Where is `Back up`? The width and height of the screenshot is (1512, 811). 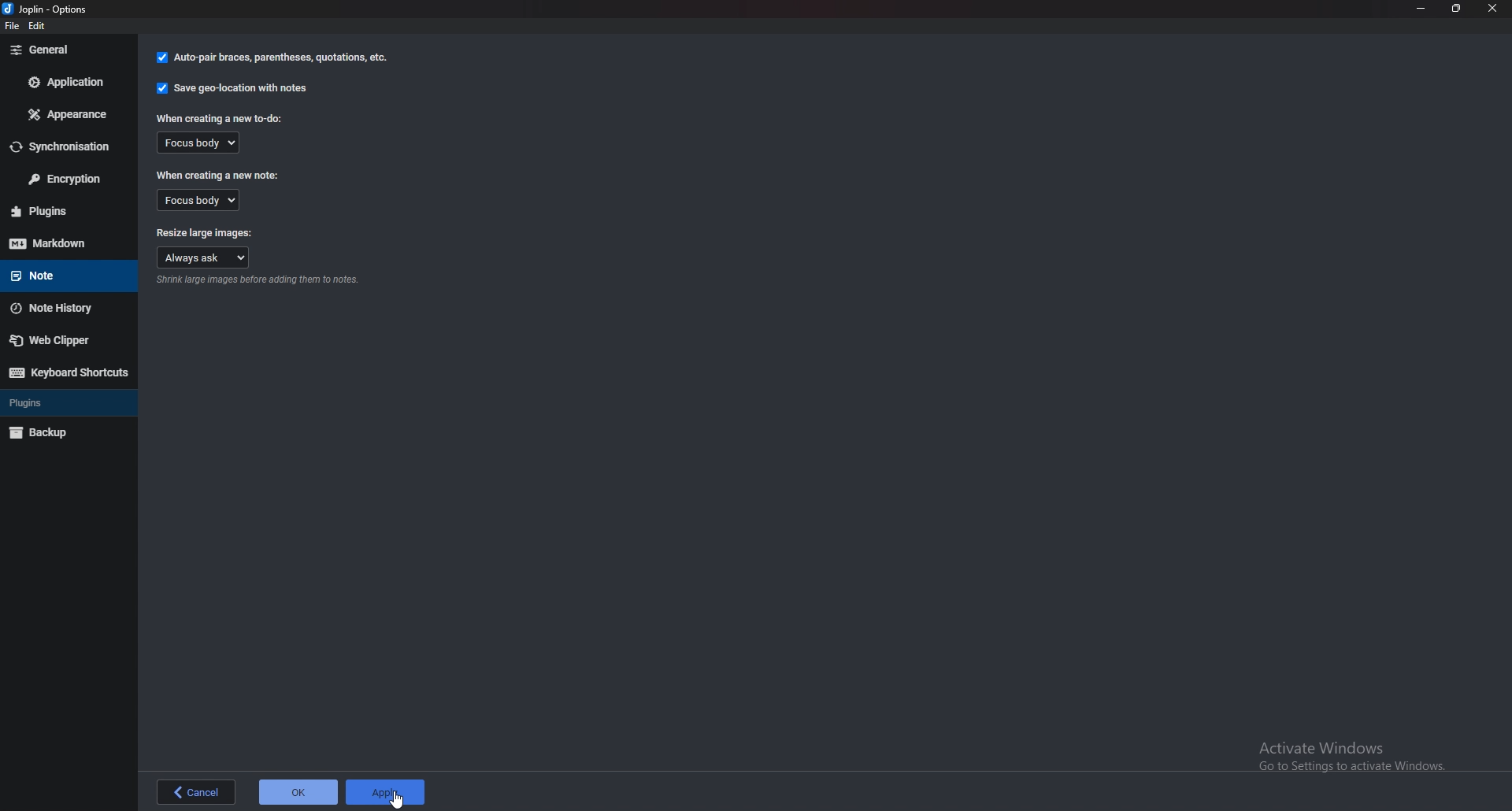
Back up is located at coordinates (65, 431).